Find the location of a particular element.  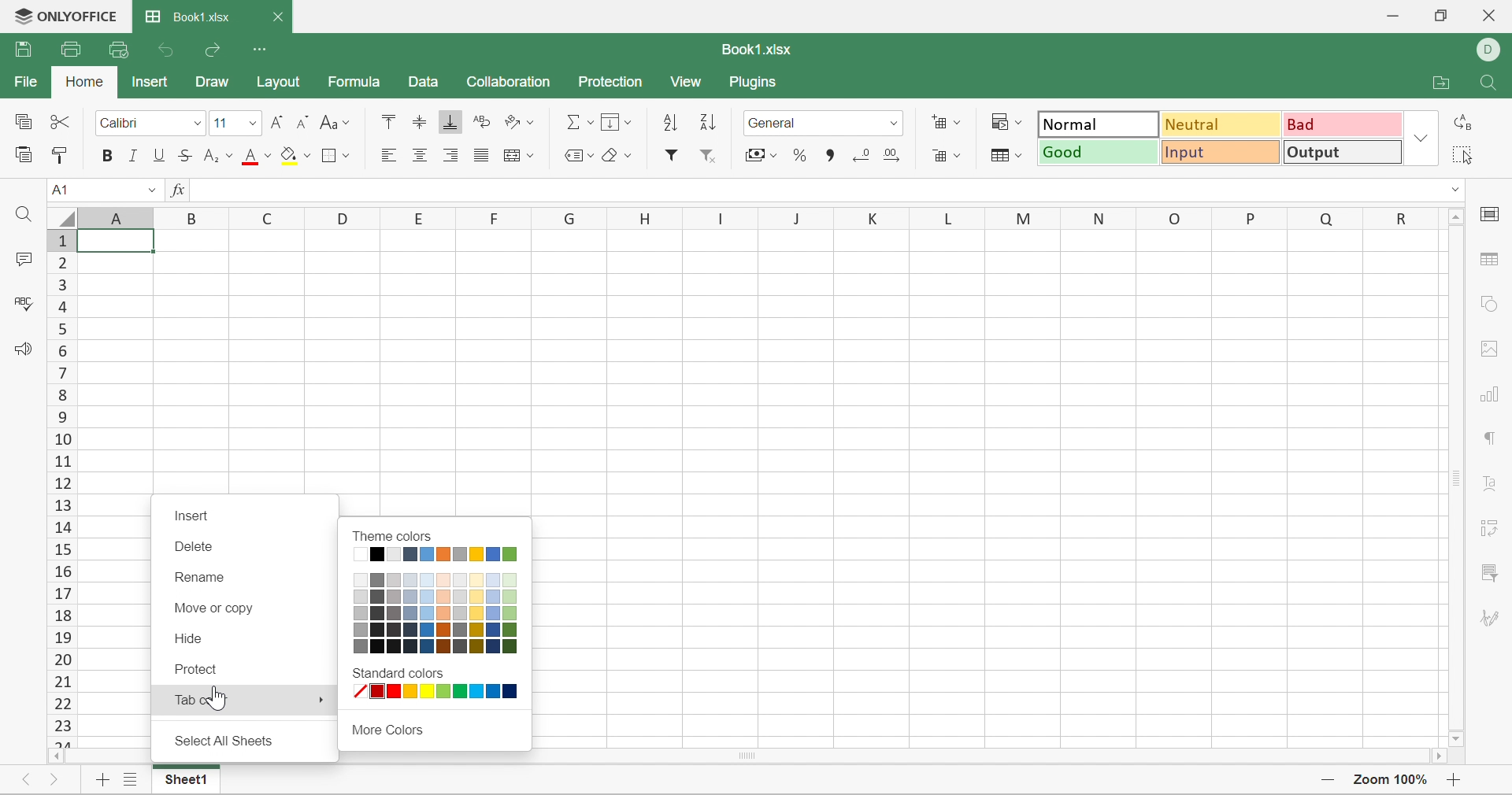

Comments is located at coordinates (20, 258).